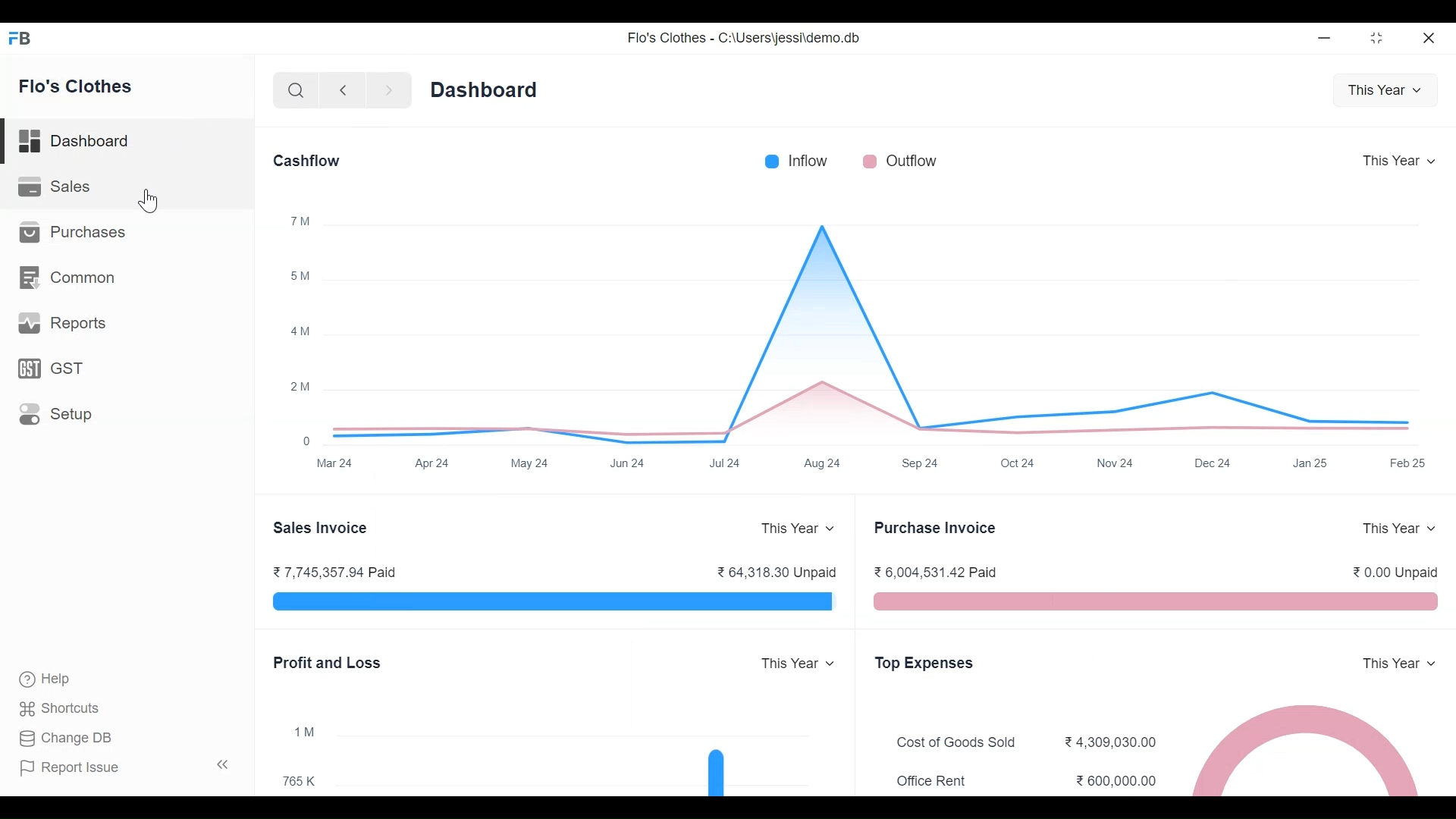 This screenshot has width=1456, height=819. Describe the element at coordinates (585, 755) in the screenshot. I see `The chart shows the profit (or loss) per month for a year` at that location.